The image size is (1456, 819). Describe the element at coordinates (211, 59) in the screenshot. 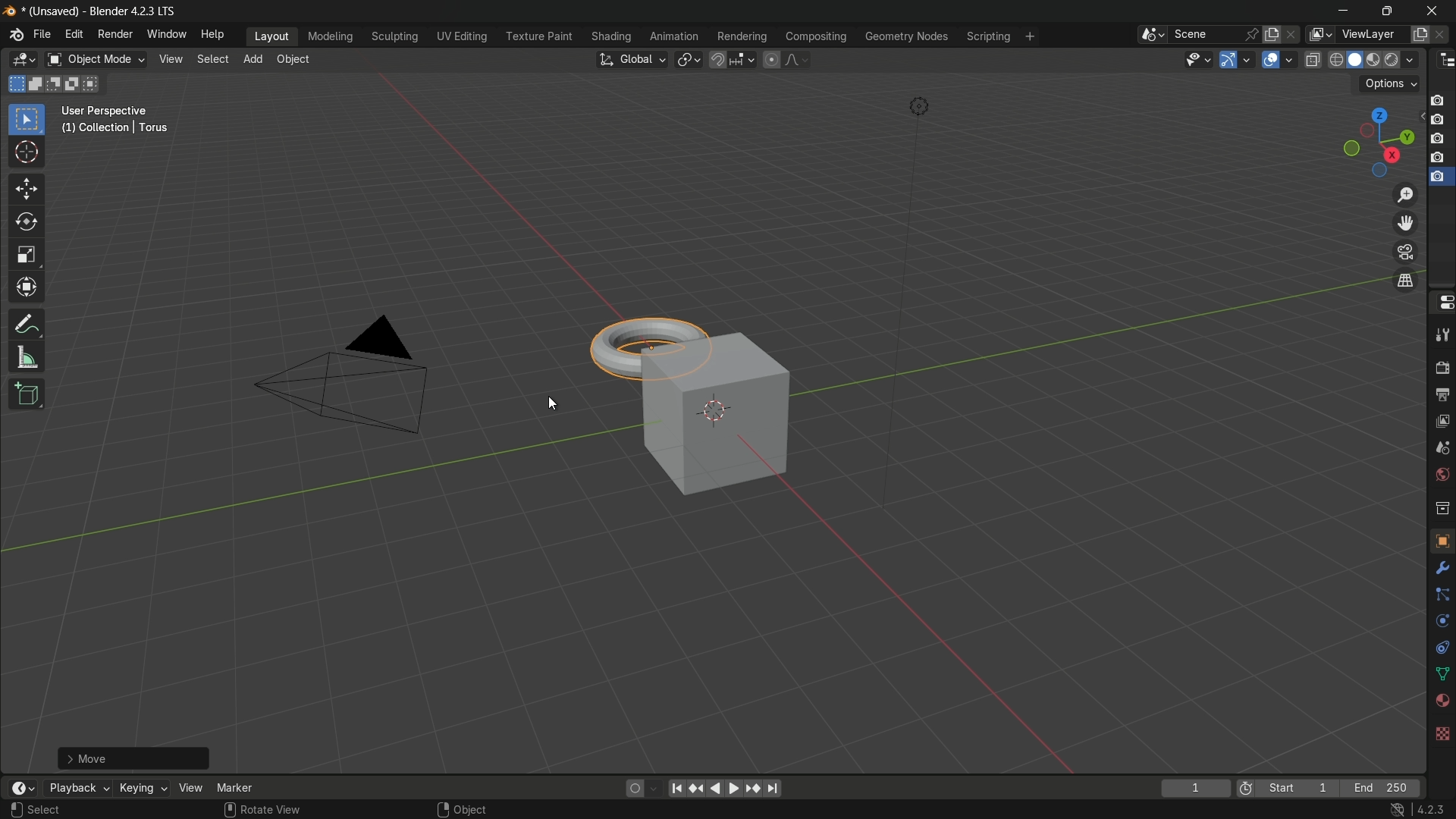

I see `select` at that location.